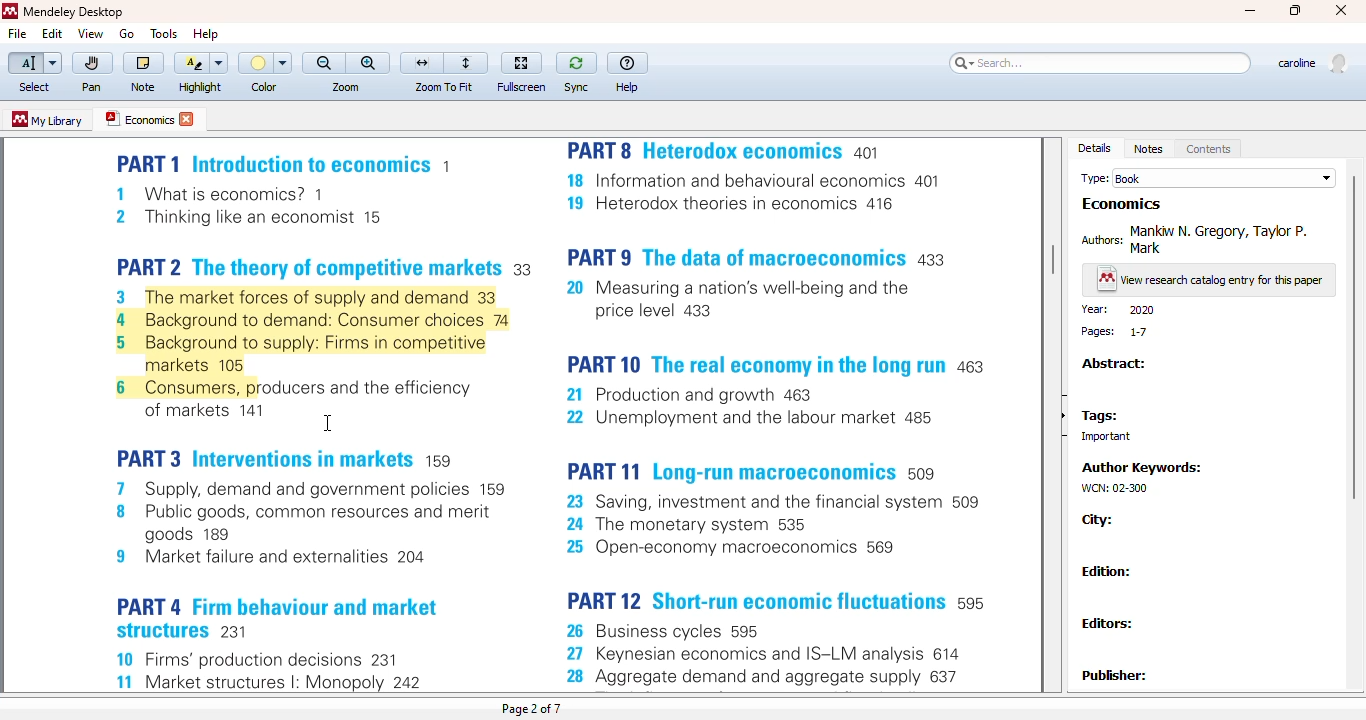 This screenshot has height=720, width=1366. What do you see at coordinates (369, 63) in the screenshot?
I see `zoom in` at bounding box center [369, 63].